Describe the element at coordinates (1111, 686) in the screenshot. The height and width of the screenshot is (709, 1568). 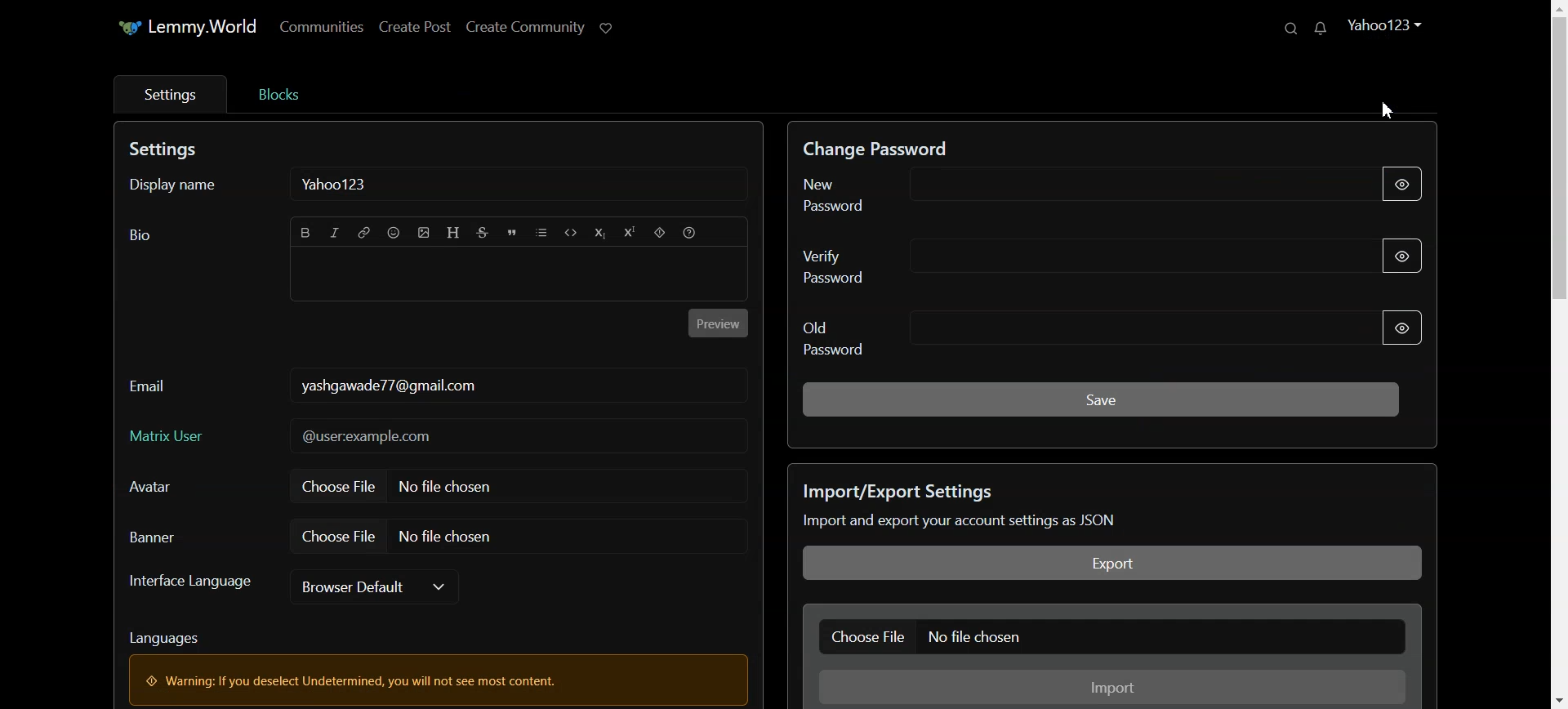
I see `Import` at that location.